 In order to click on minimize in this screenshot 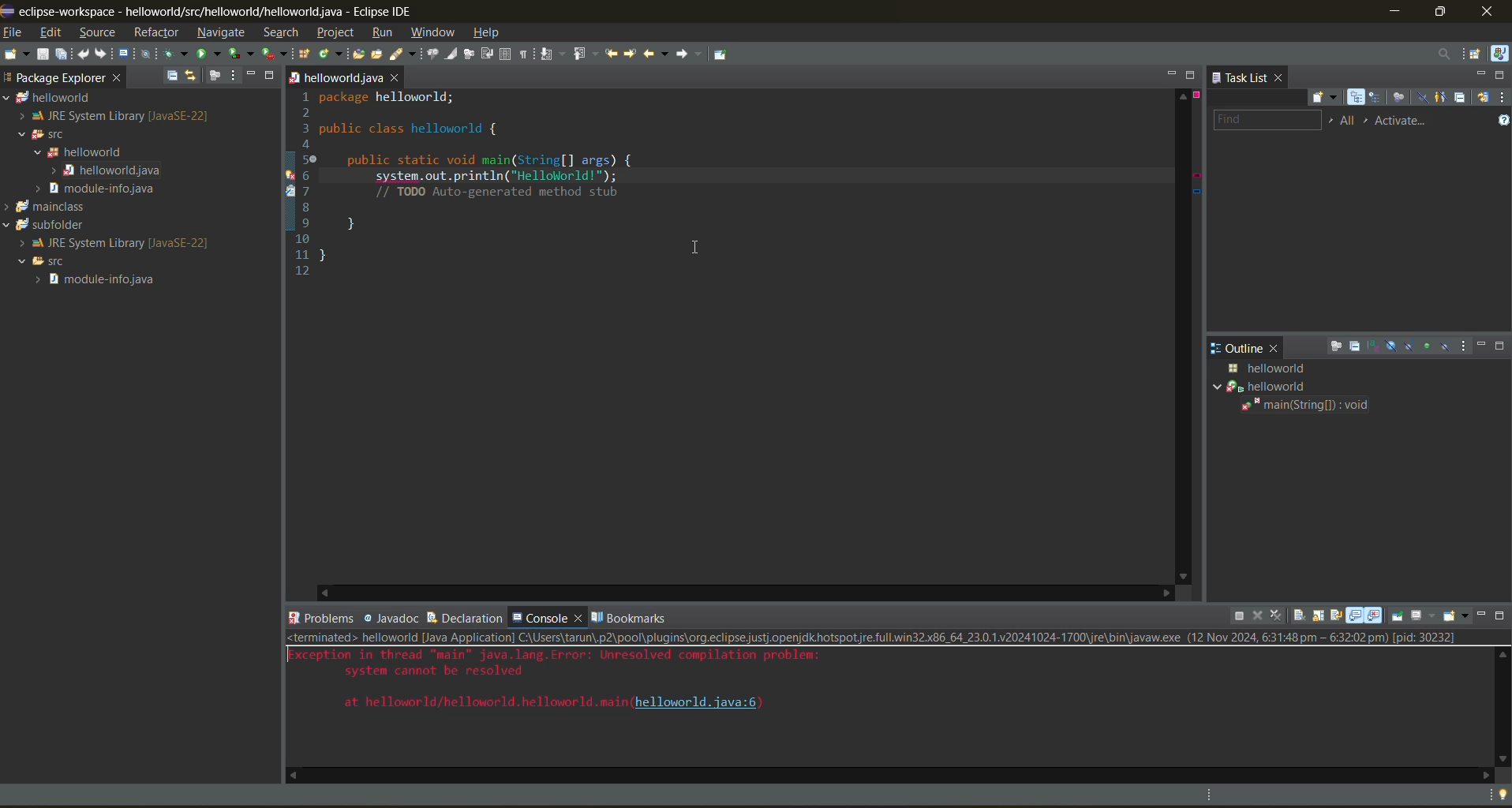, I will do `click(1171, 73)`.